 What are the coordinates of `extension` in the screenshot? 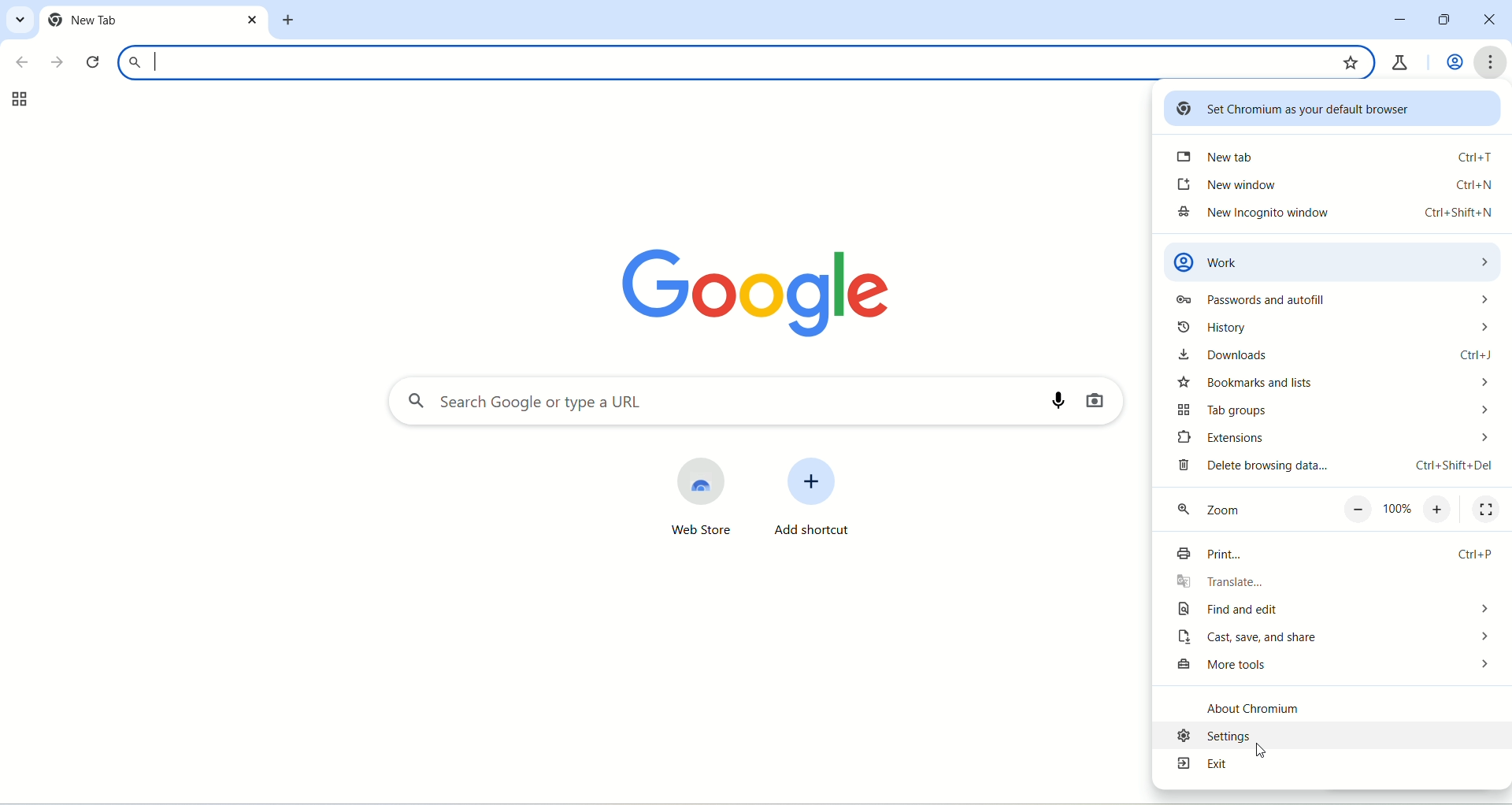 It's located at (1329, 440).